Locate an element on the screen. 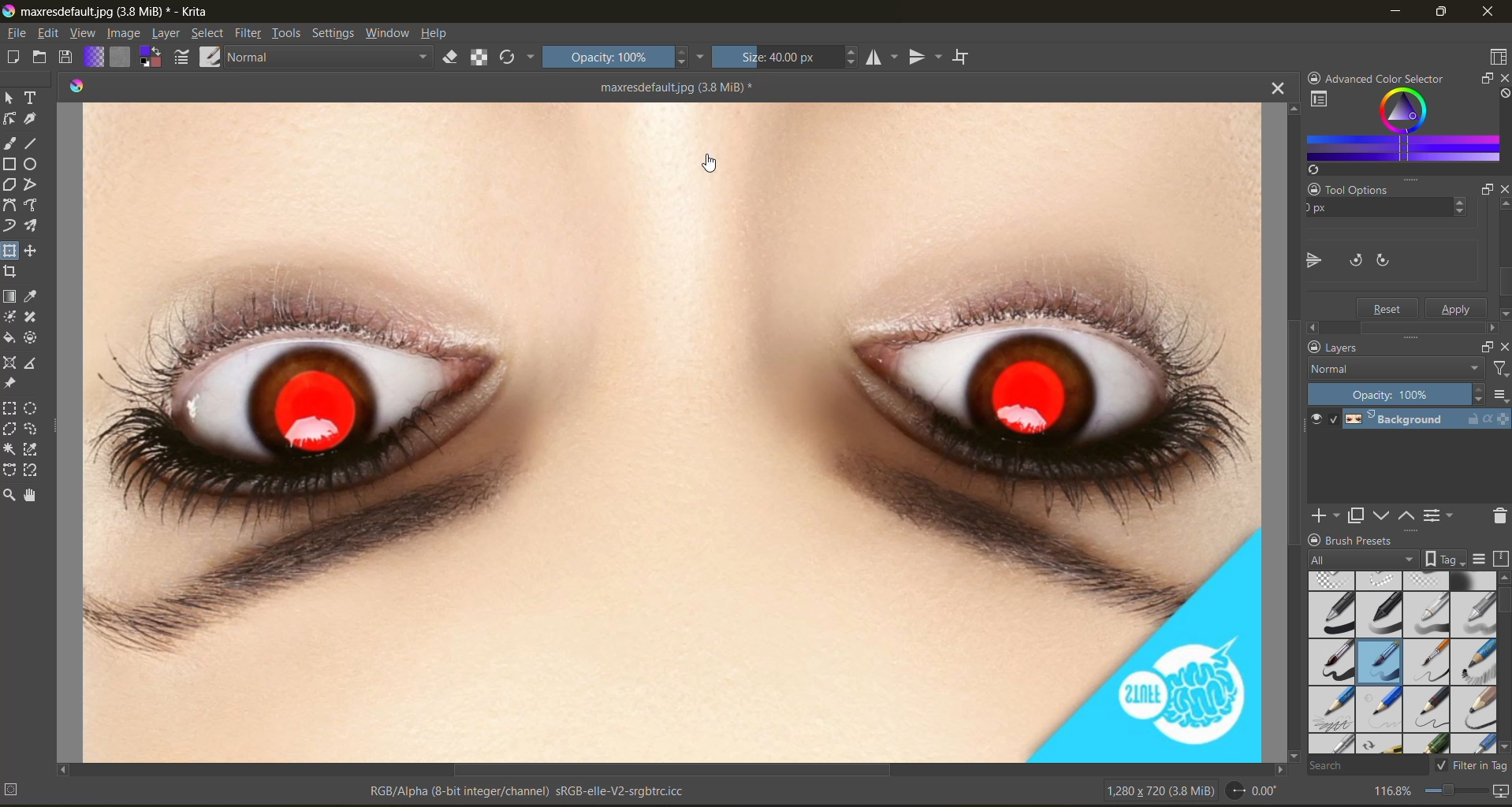 The height and width of the screenshot is (807, 1512). close docker is located at coordinates (1503, 351).